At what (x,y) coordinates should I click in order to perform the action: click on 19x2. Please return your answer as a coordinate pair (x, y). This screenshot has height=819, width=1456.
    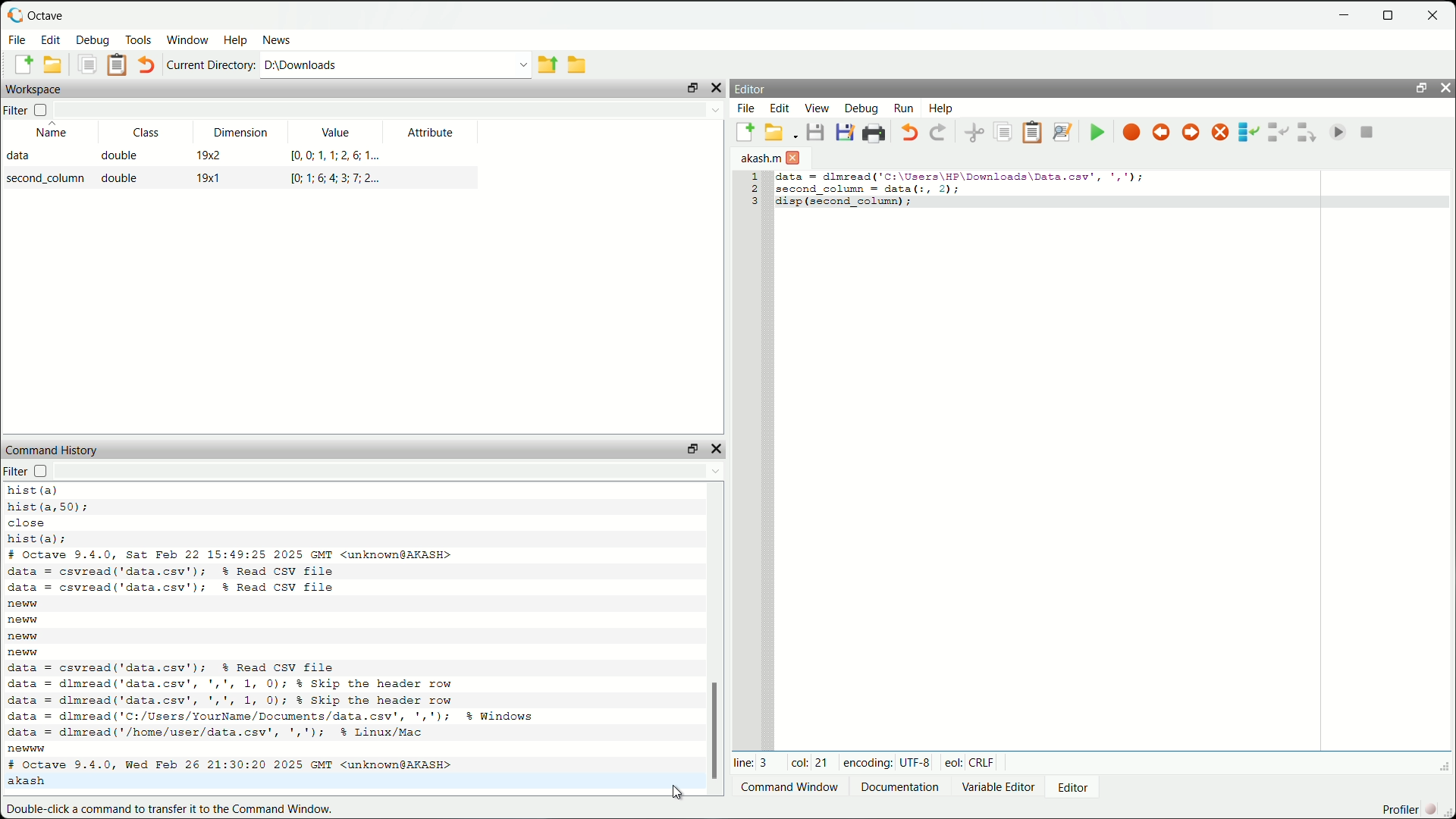
    Looking at the image, I should click on (221, 155).